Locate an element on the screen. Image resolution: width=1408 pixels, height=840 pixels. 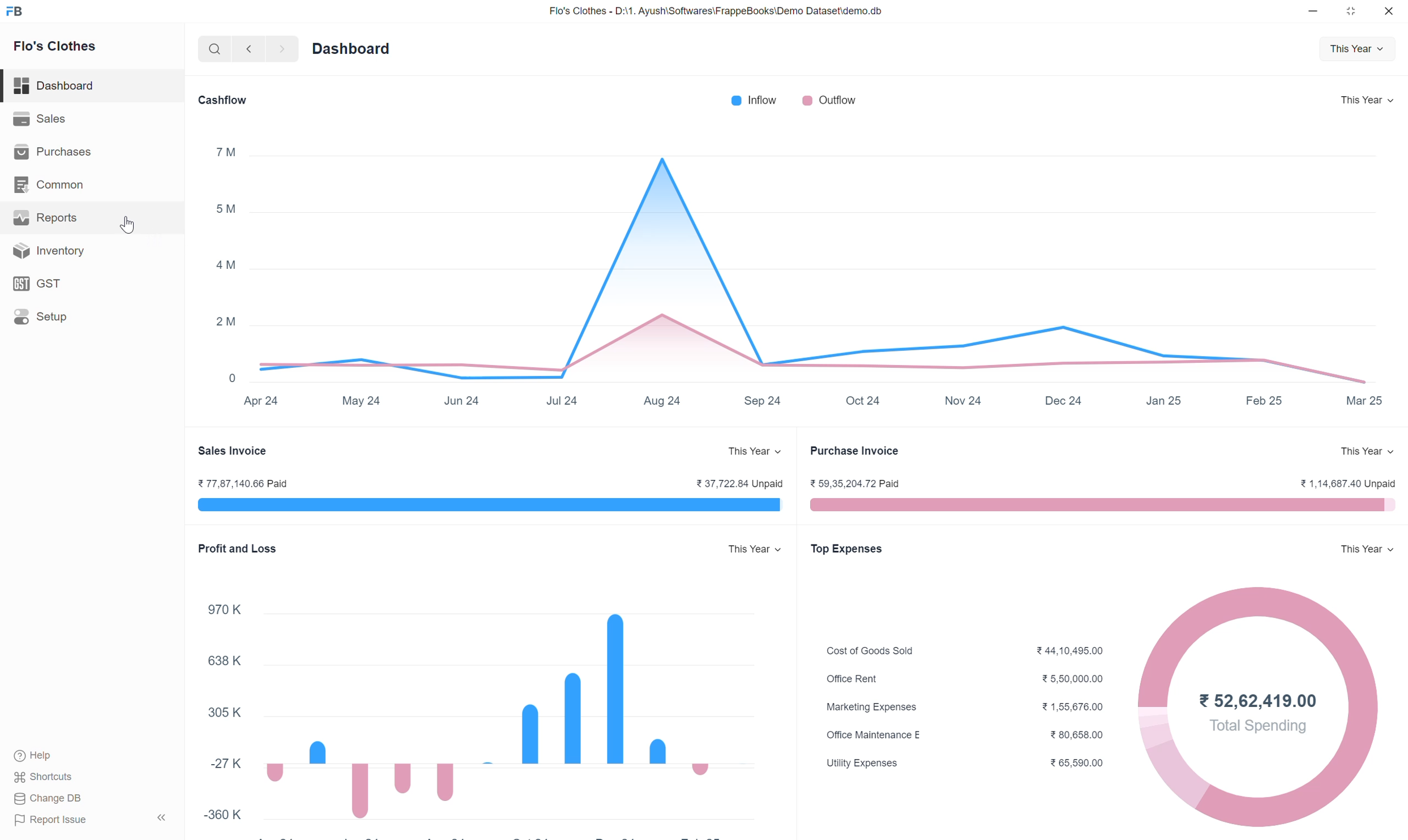
Flo's Clothes - D:\1. Ayush\Softwares\FrappeBooks\Demo Dataset\demo.db is located at coordinates (714, 12).